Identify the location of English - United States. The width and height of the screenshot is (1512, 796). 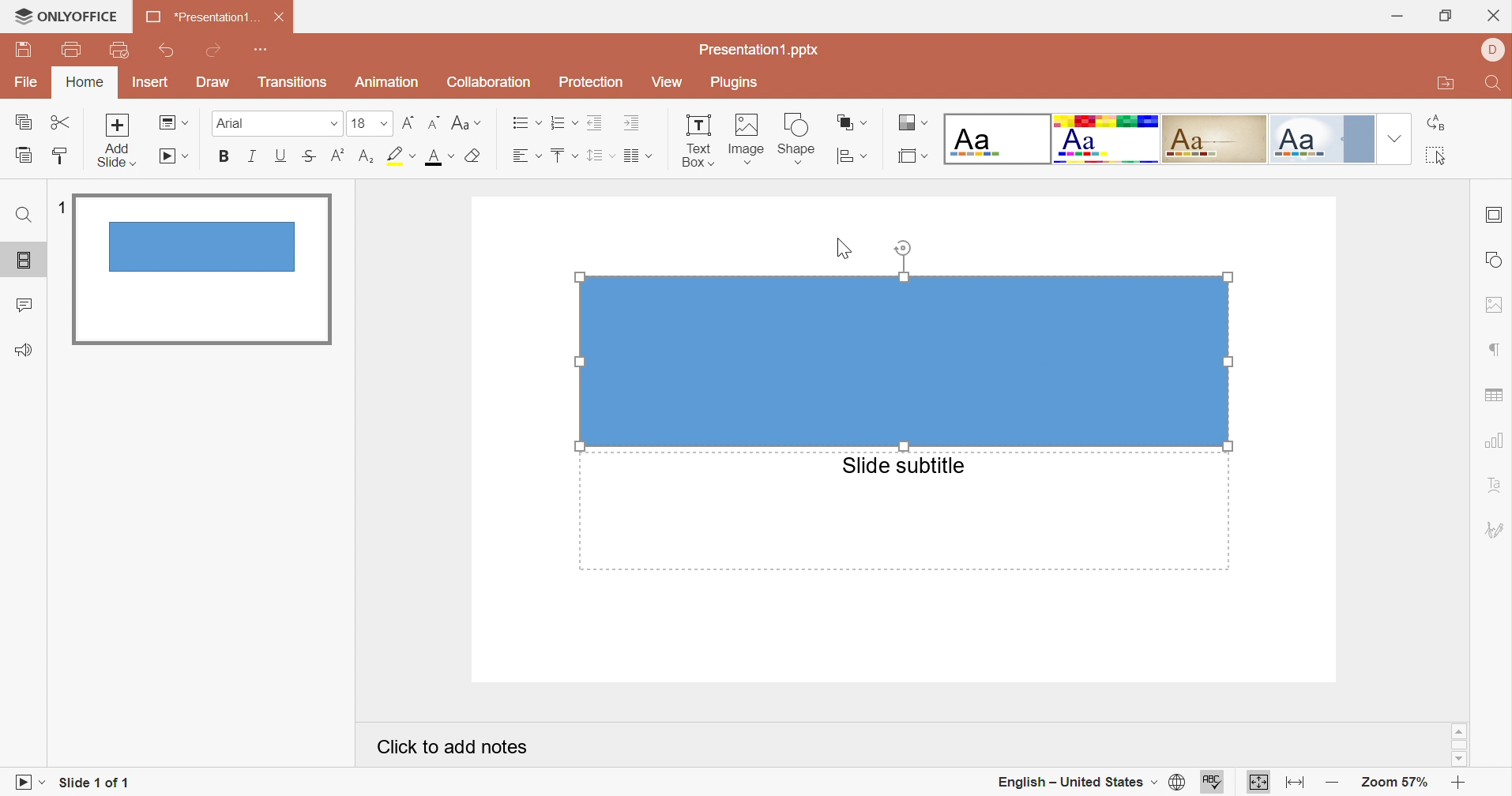
(1074, 783).